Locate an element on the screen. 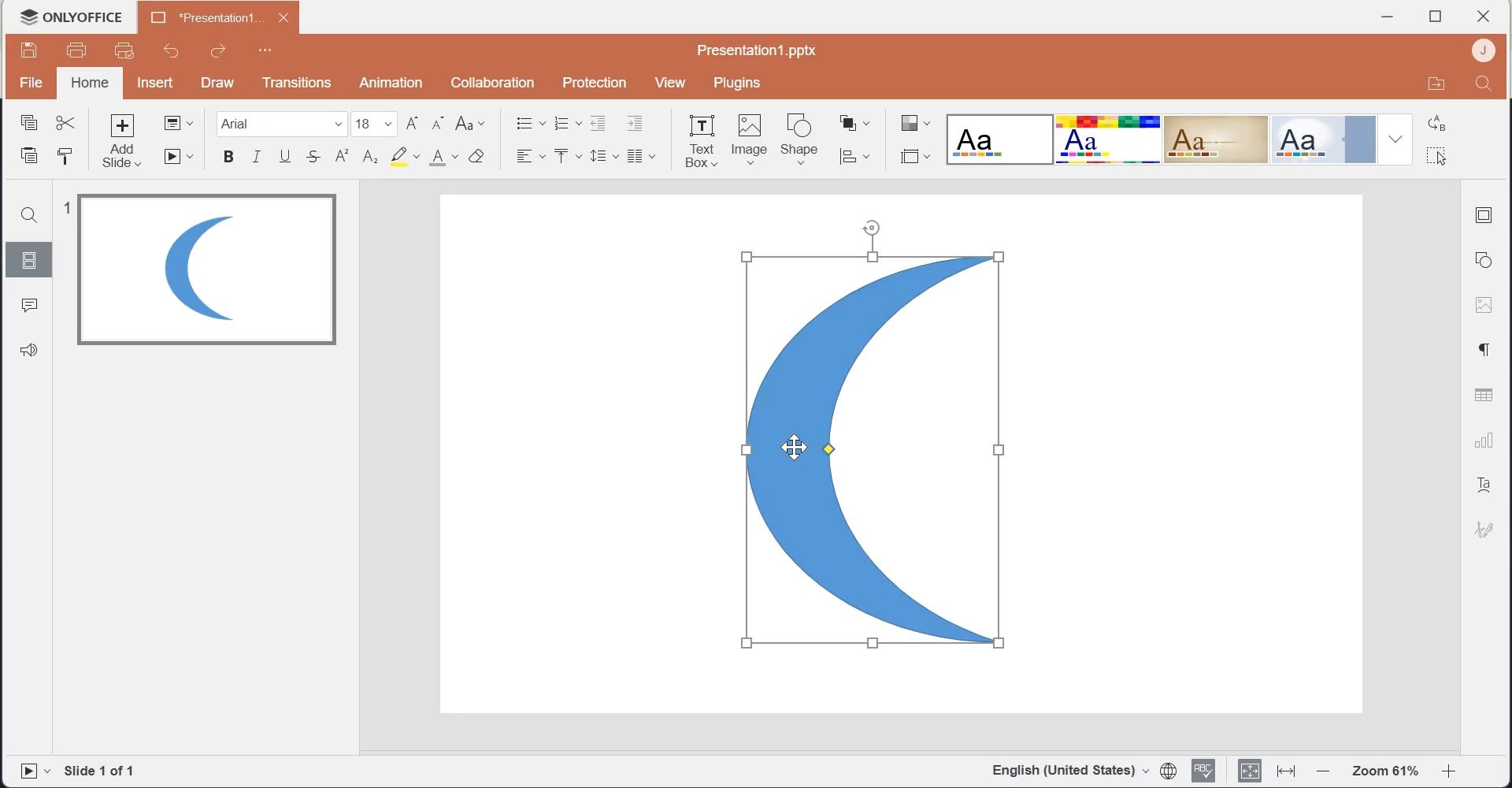 The image size is (1512, 788). Minimize is located at coordinates (1388, 17).